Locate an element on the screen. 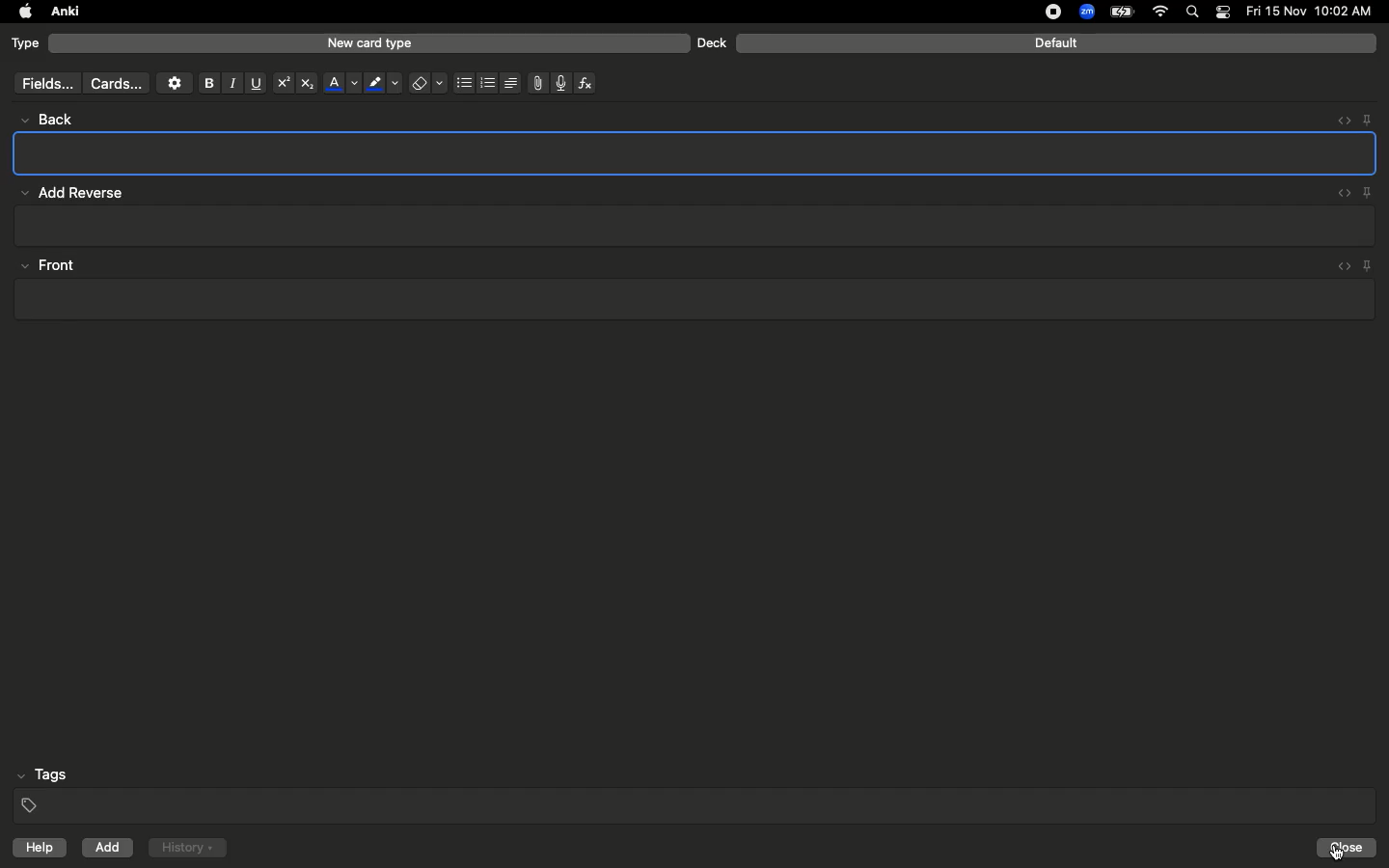 This screenshot has width=1389, height=868. text box is located at coordinates (688, 225).